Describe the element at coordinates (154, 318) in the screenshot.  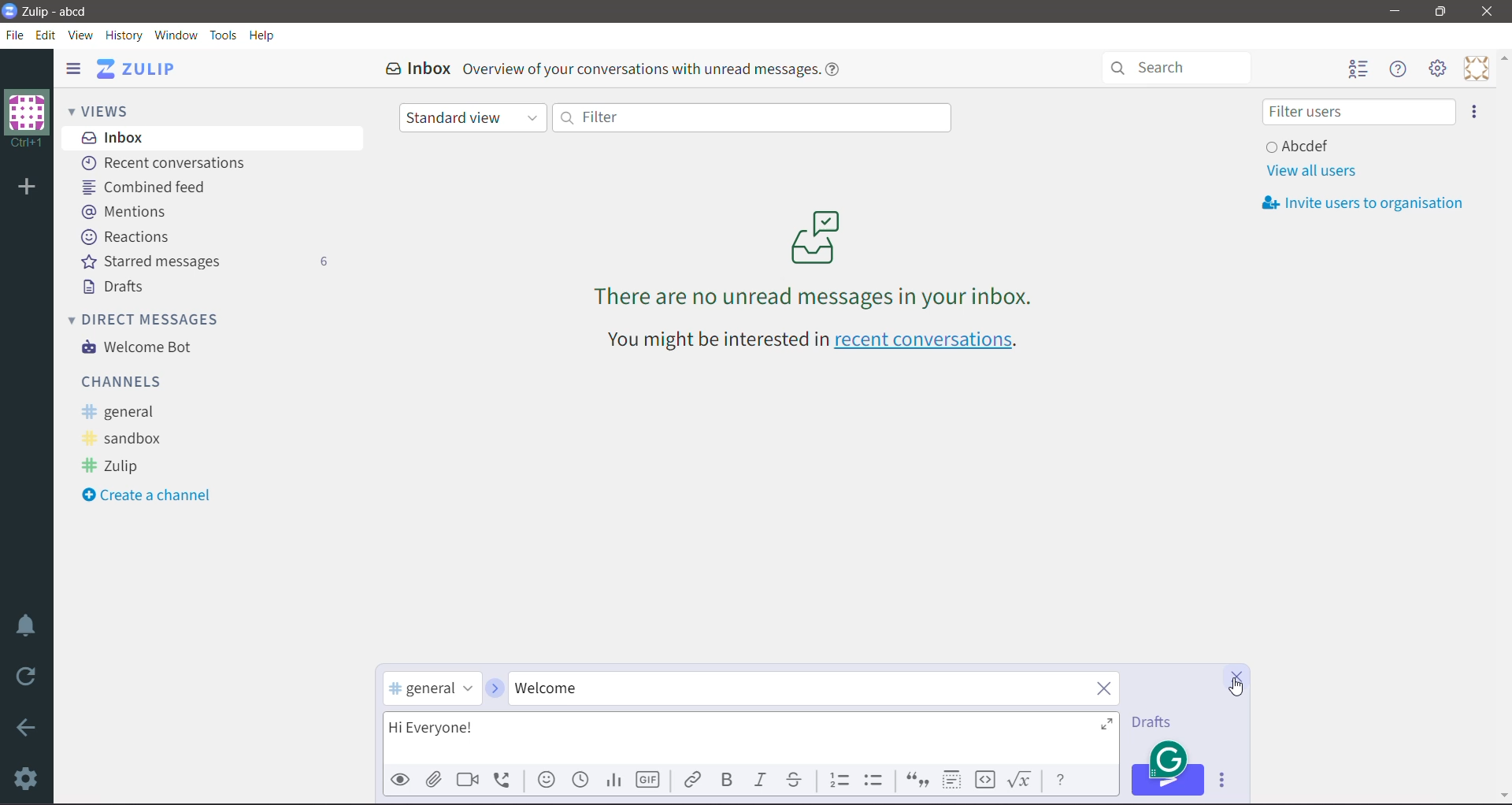
I see `Direct Messages` at that location.